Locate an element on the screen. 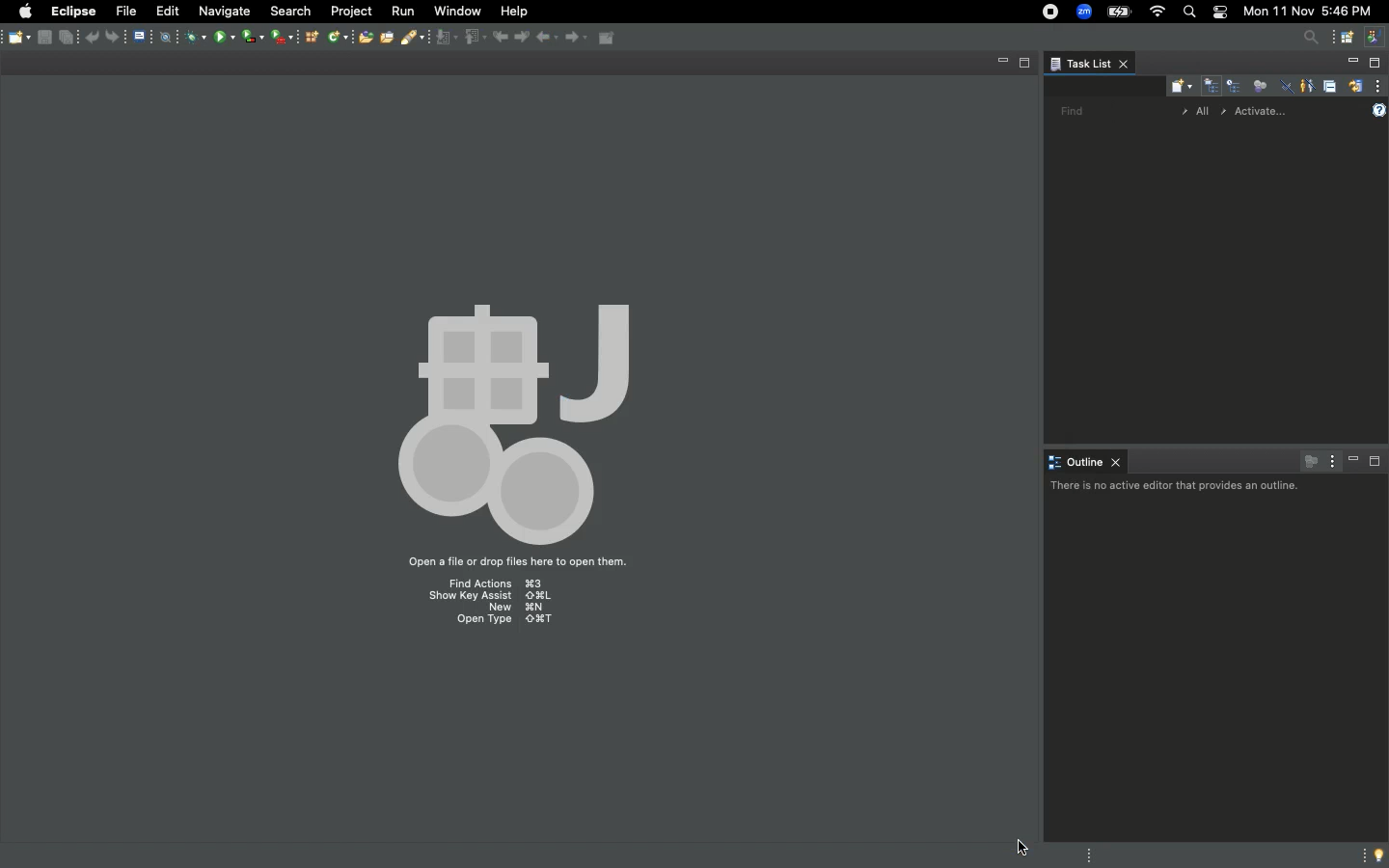  Maximize  is located at coordinates (1375, 64).